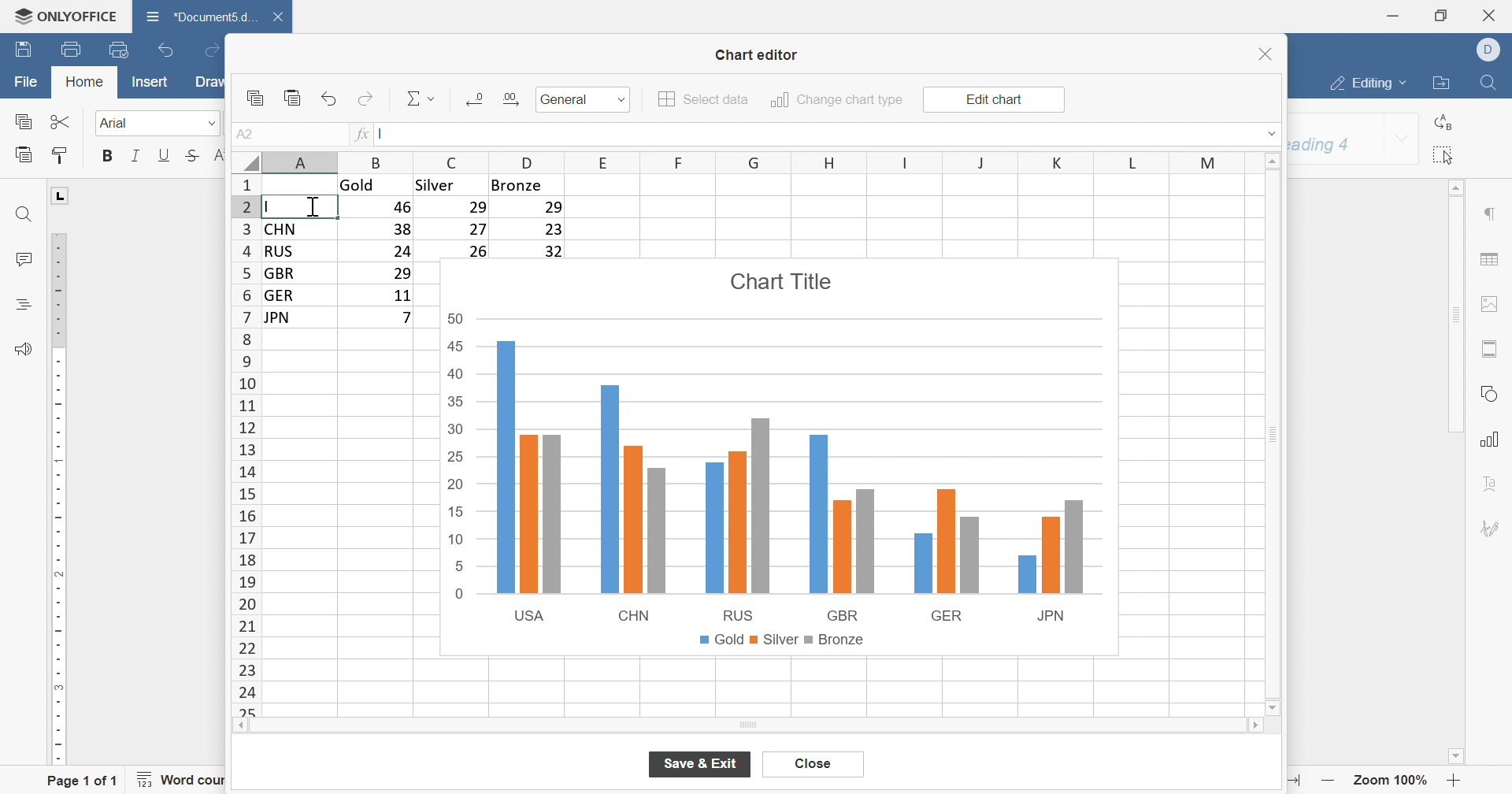 This screenshot has width=1512, height=794. What do you see at coordinates (1403, 140) in the screenshot?
I see `drop down` at bounding box center [1403, 140].